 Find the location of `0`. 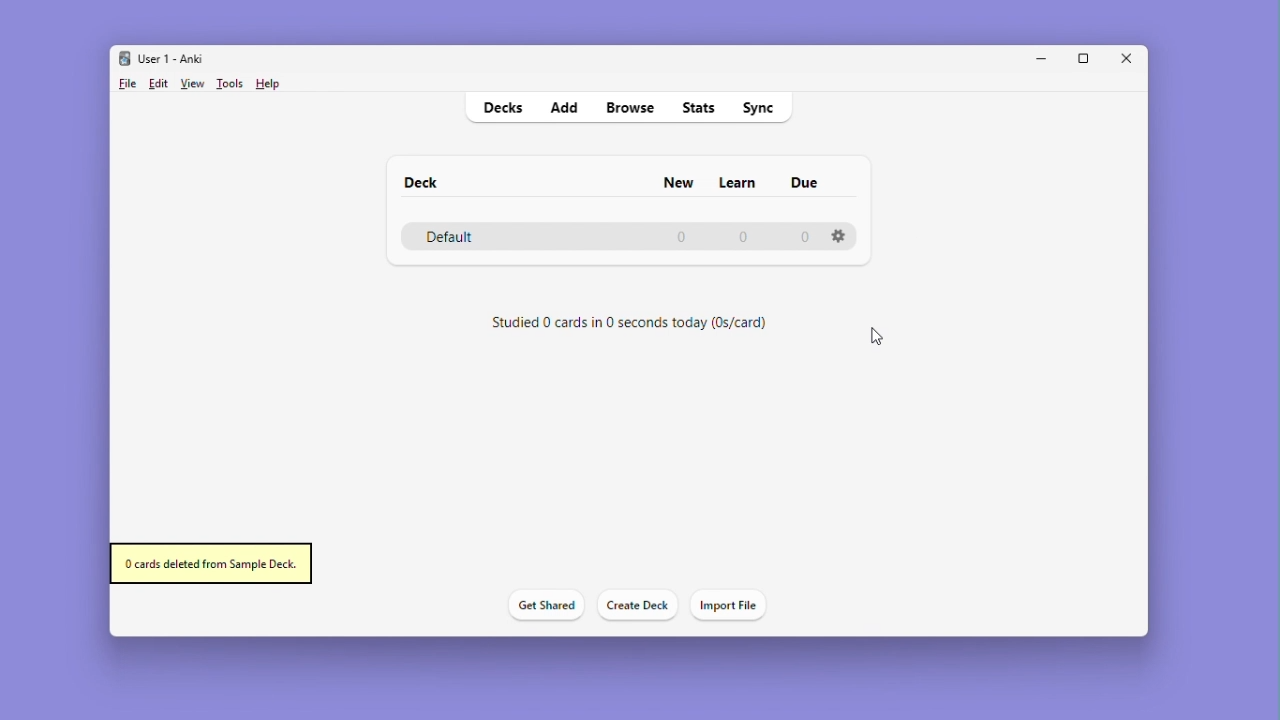

0 is located at coordinates (806, 239).